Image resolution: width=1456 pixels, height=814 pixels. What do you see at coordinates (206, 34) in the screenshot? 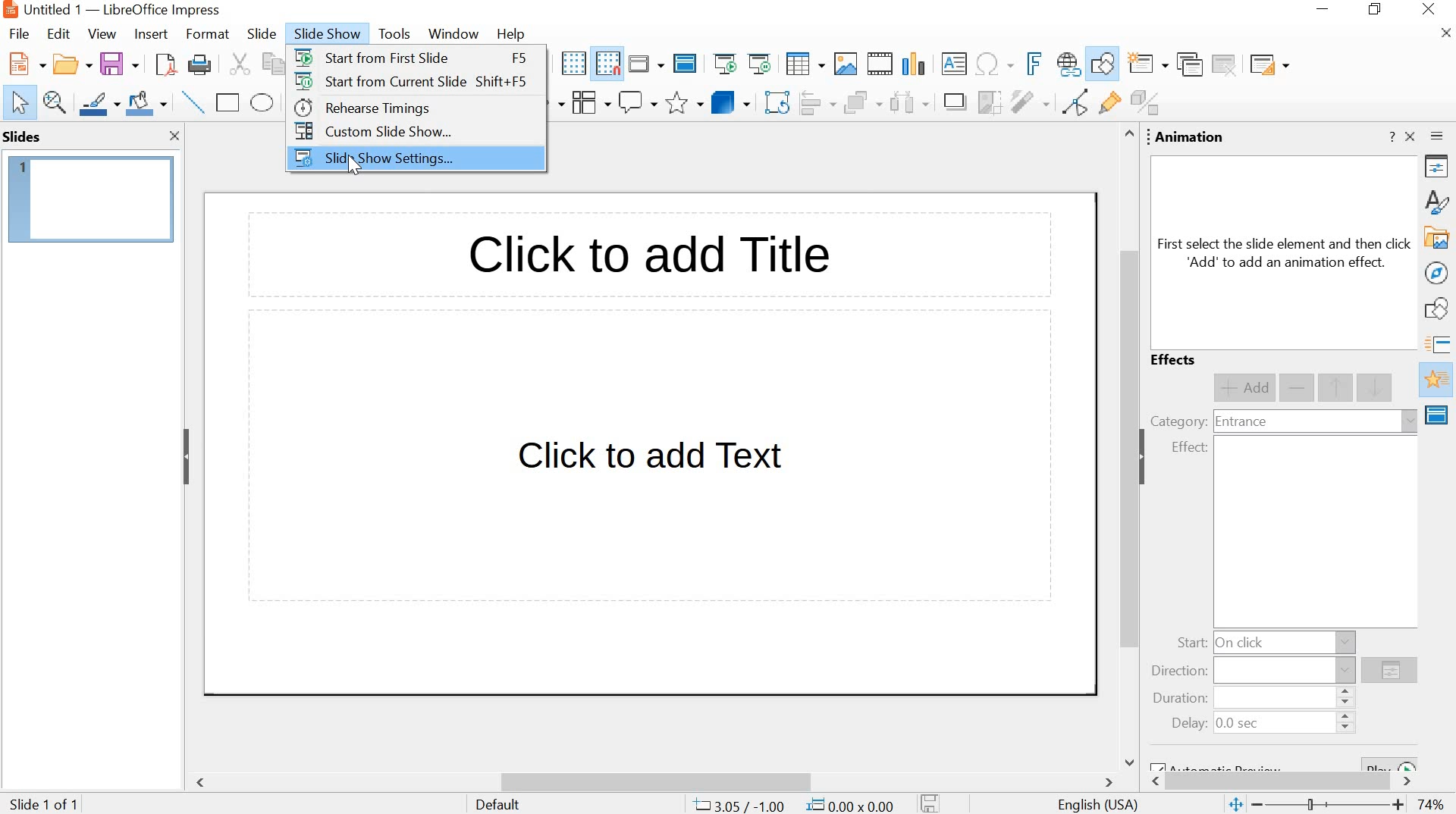
I see `format menu` at bounding box center [206, 34].